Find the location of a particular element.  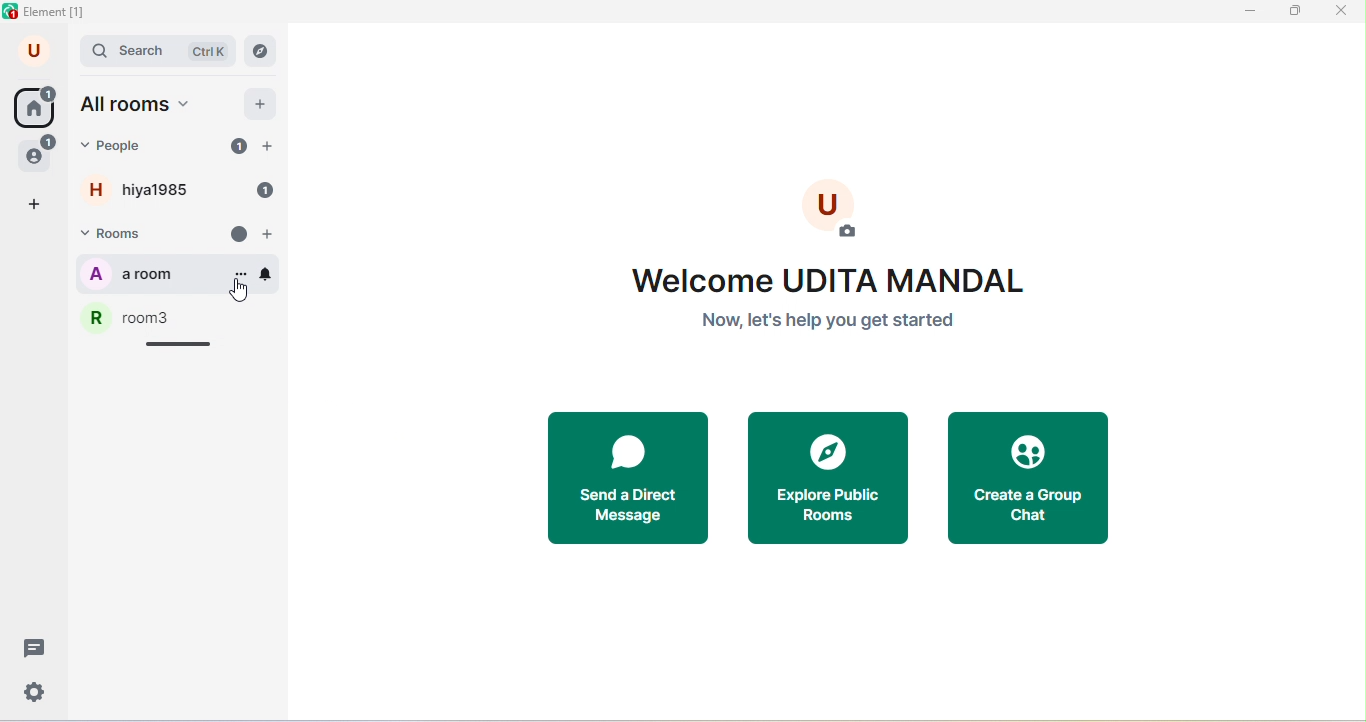

navigator is located at coordinates (260, 51).